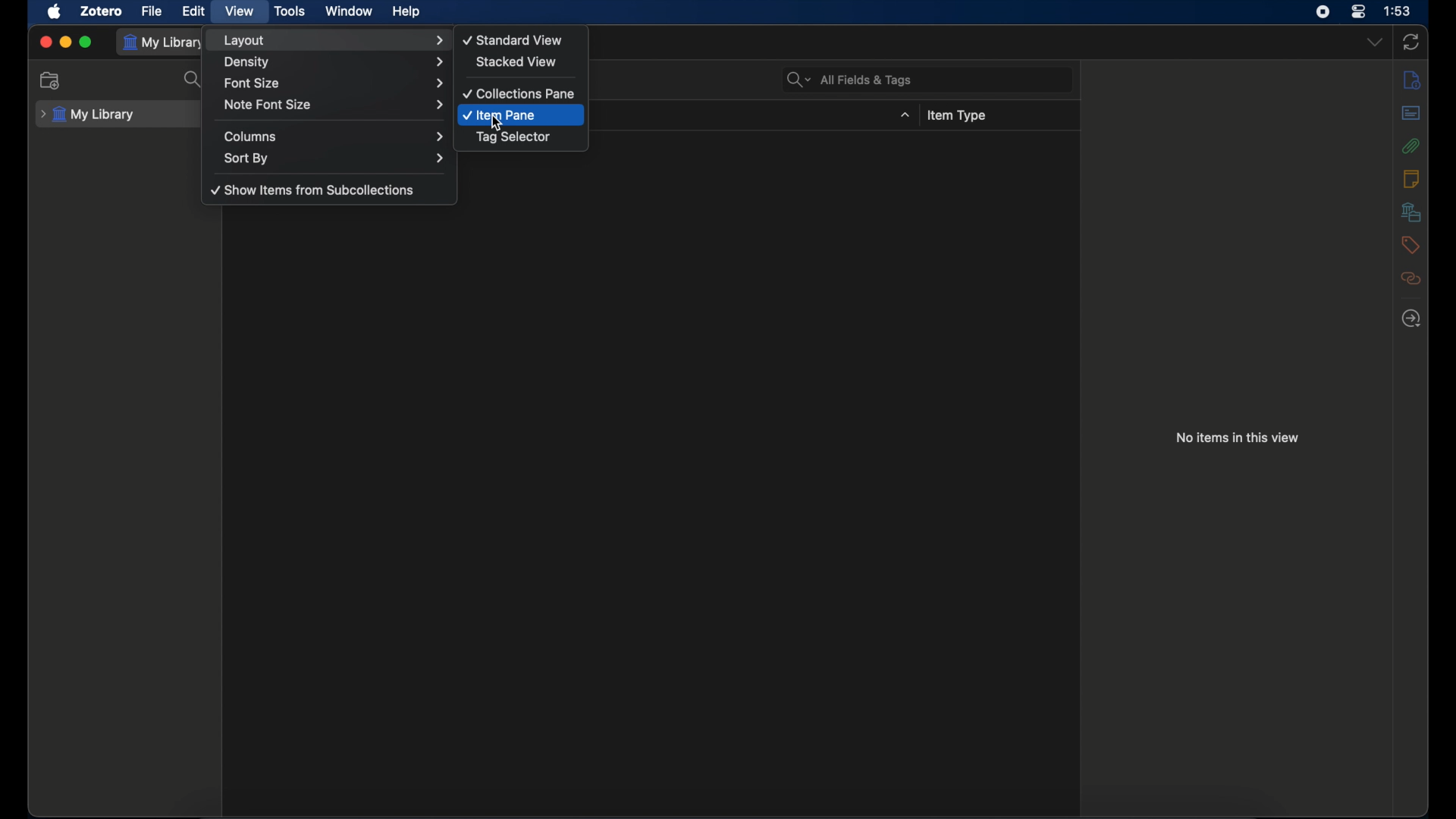  What do you see at coordinates (513, 137) in the screenshot?
I see `tag selector` at bounding box center [513, 137].